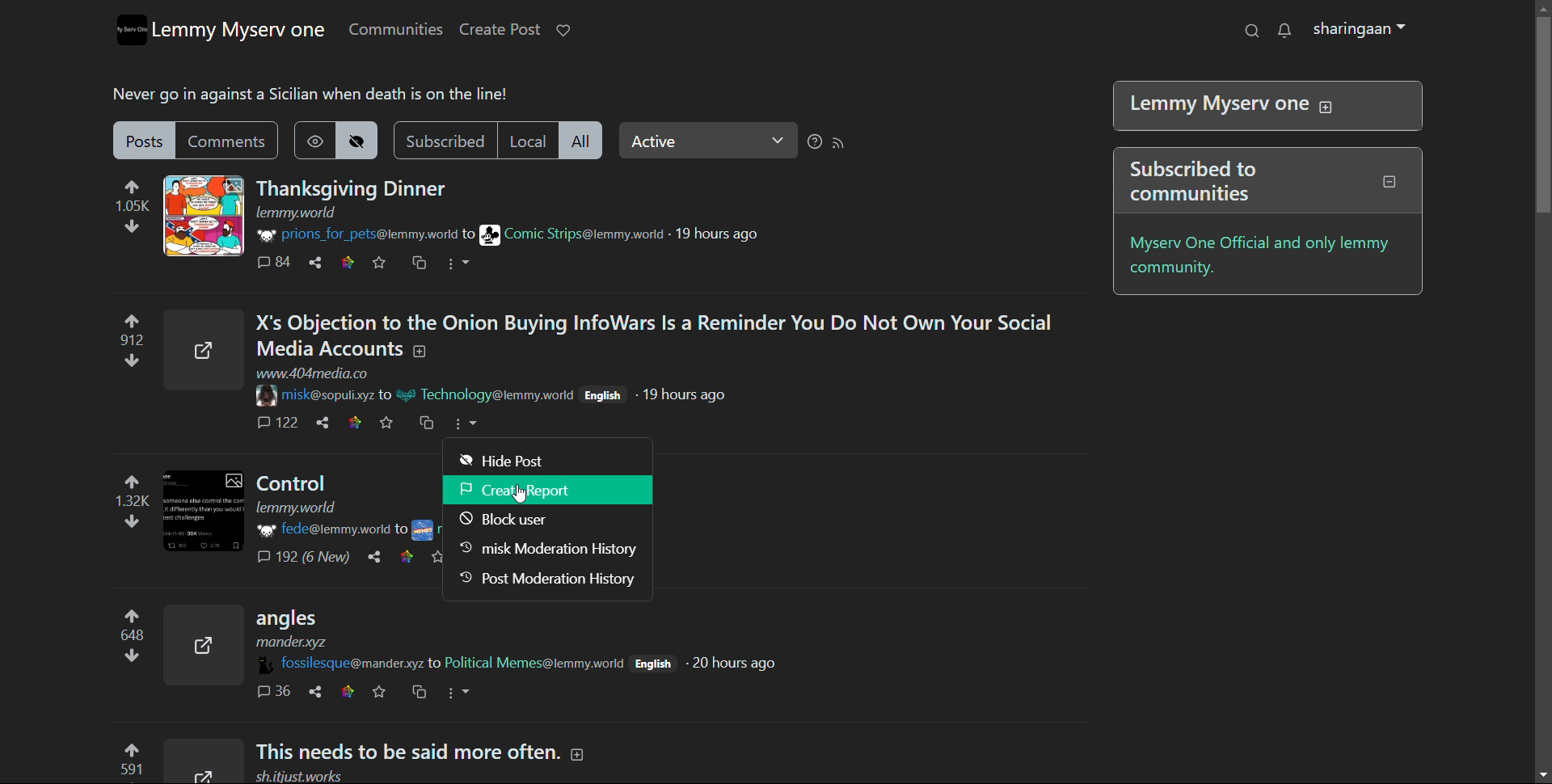  What do you see at coordinates (419, 263) in the screenshot?
I see `cross post` at bounding box center [419, 263].